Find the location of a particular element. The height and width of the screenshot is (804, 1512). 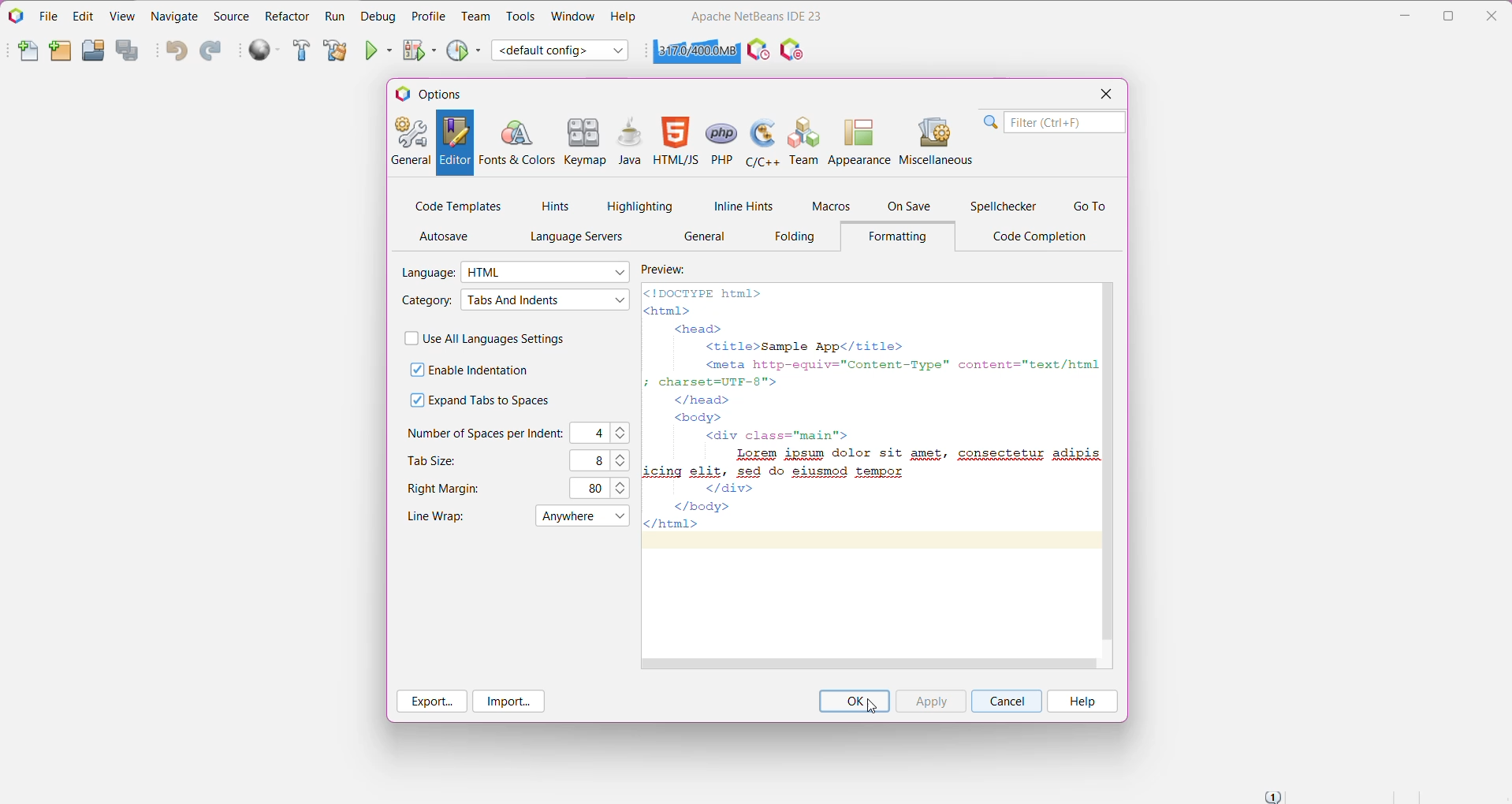

Refactor is located at coordinates (287, 16).